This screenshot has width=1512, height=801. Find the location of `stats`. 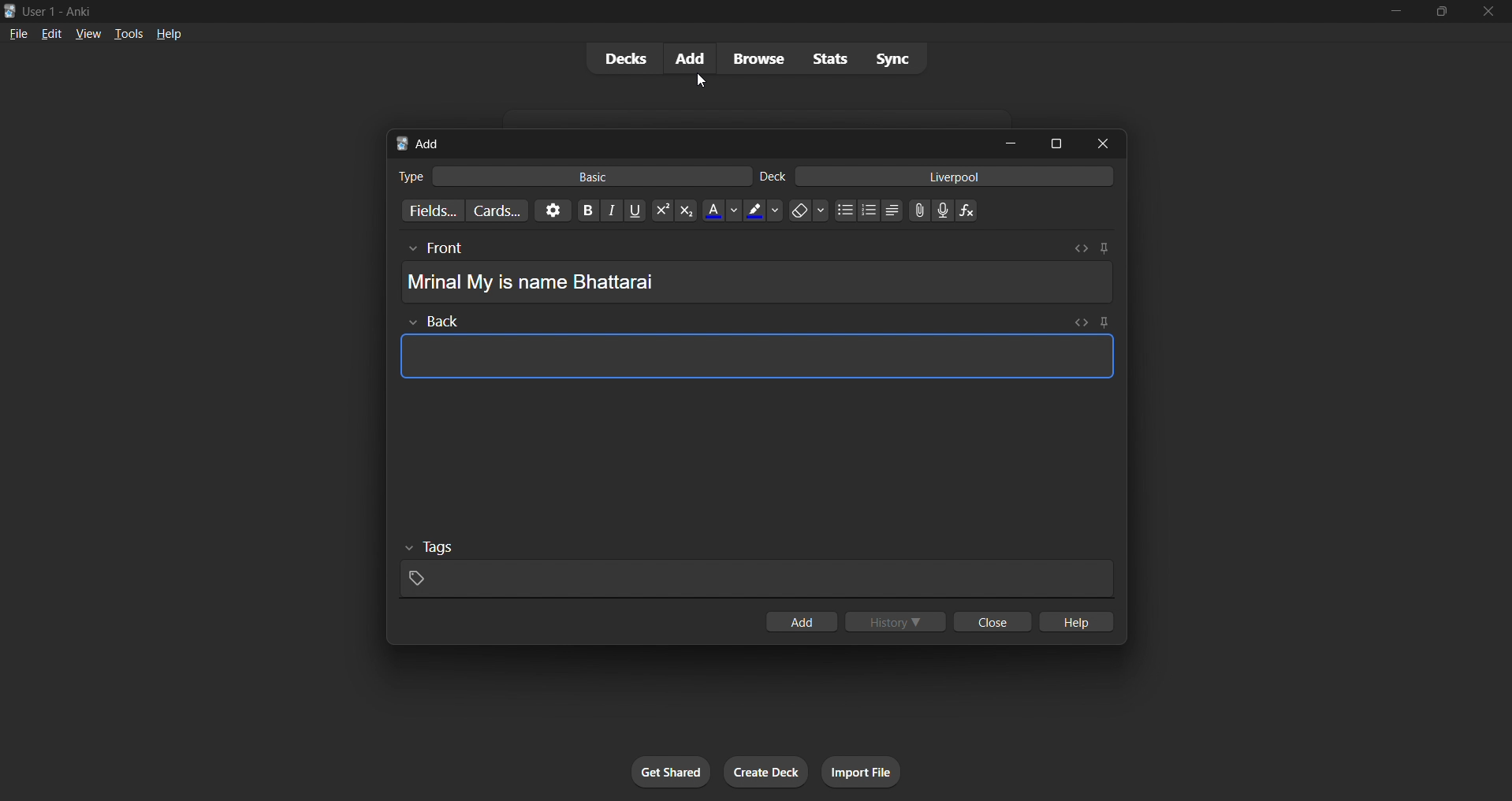

stats is located at coordinates (824, 58).